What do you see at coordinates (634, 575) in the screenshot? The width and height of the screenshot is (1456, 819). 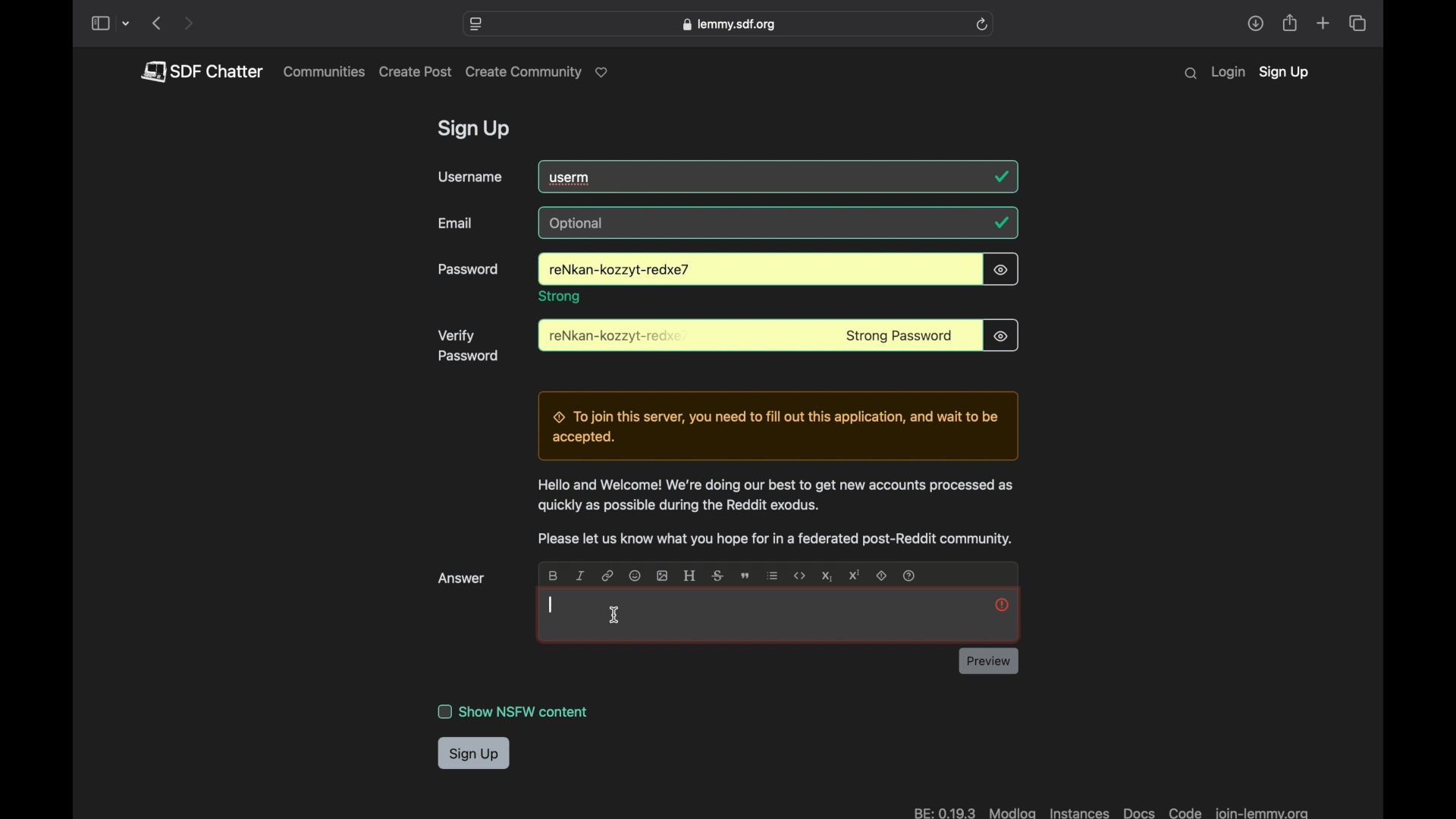 I see `emoji` at bounding box center [634, 575].